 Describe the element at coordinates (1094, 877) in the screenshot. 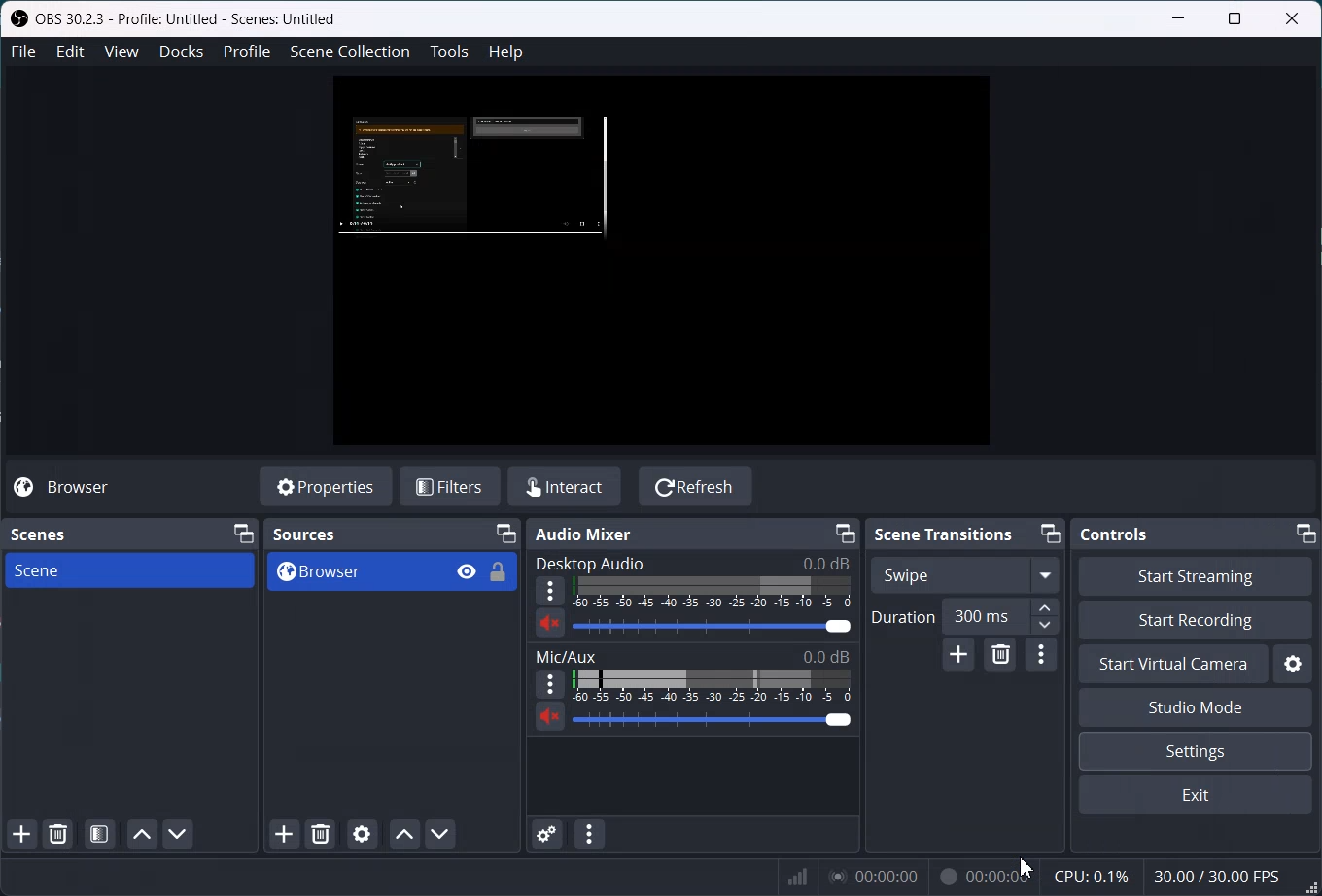

I see `CPU: 0.1%` at that location.